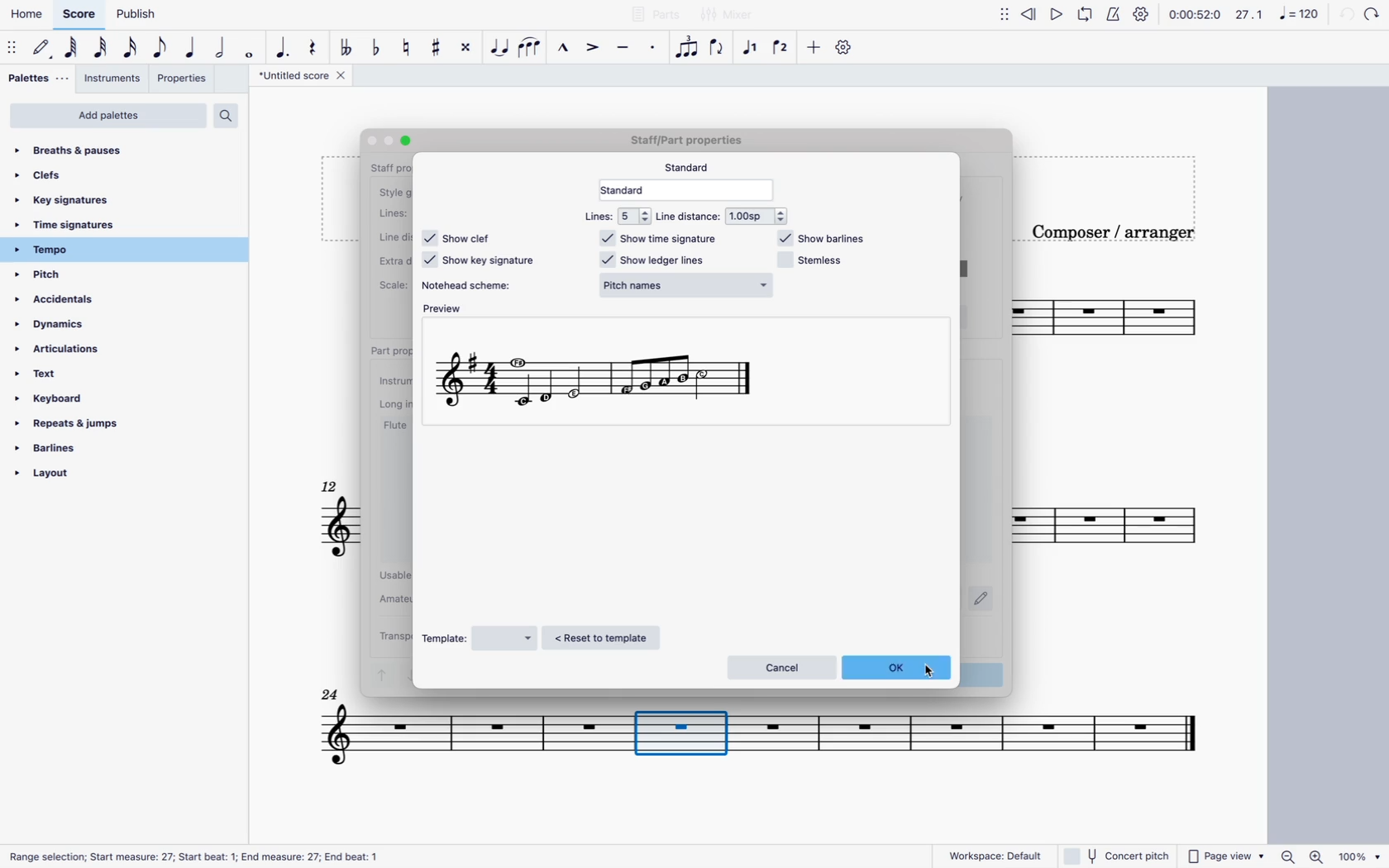  What do you see at coordinates (1117, 13) in the screenshot?
I see `metronome` at bounding box center [1117, 13].